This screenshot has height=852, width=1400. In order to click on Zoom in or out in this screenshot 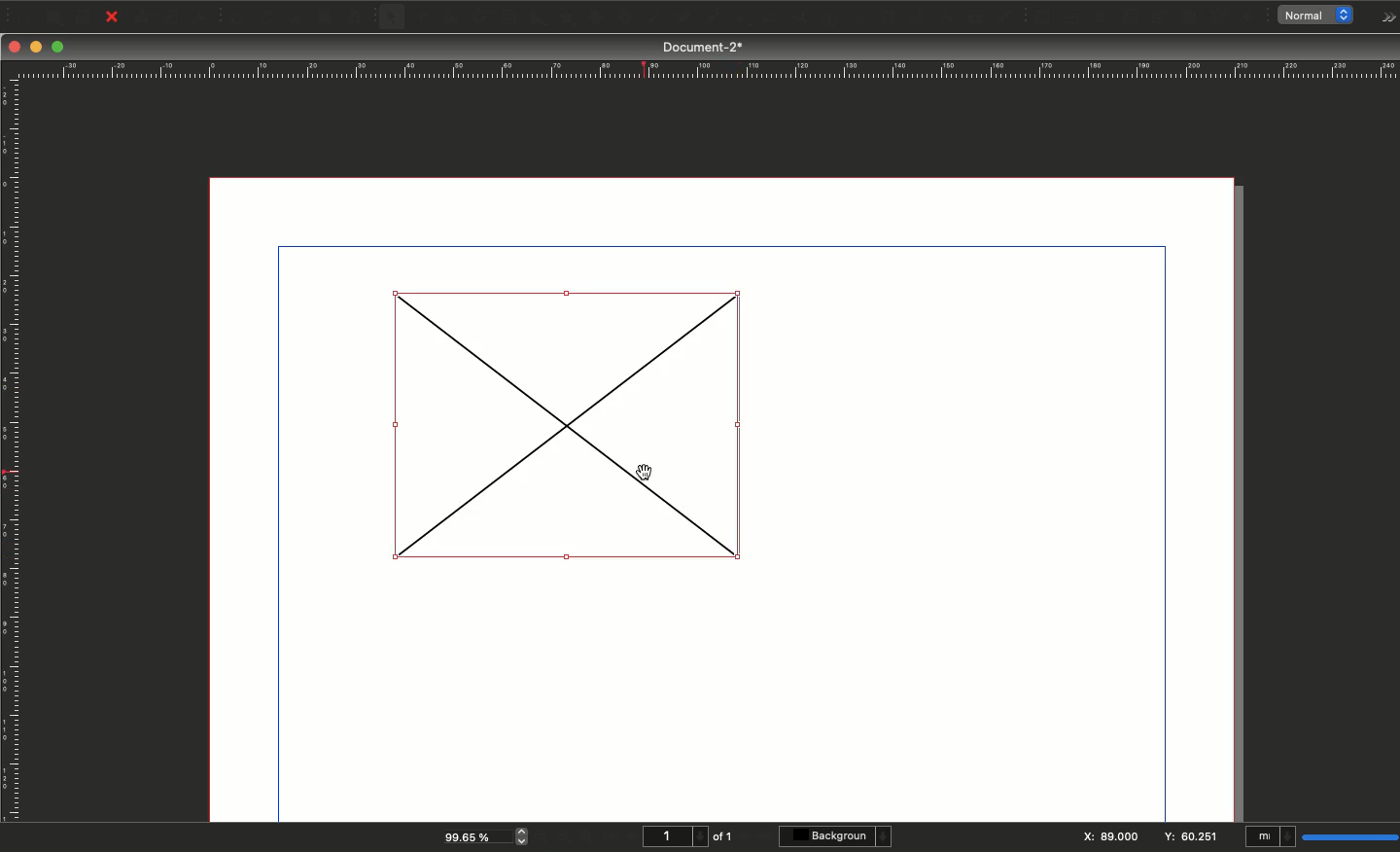, I will do `click(773, 19)`.